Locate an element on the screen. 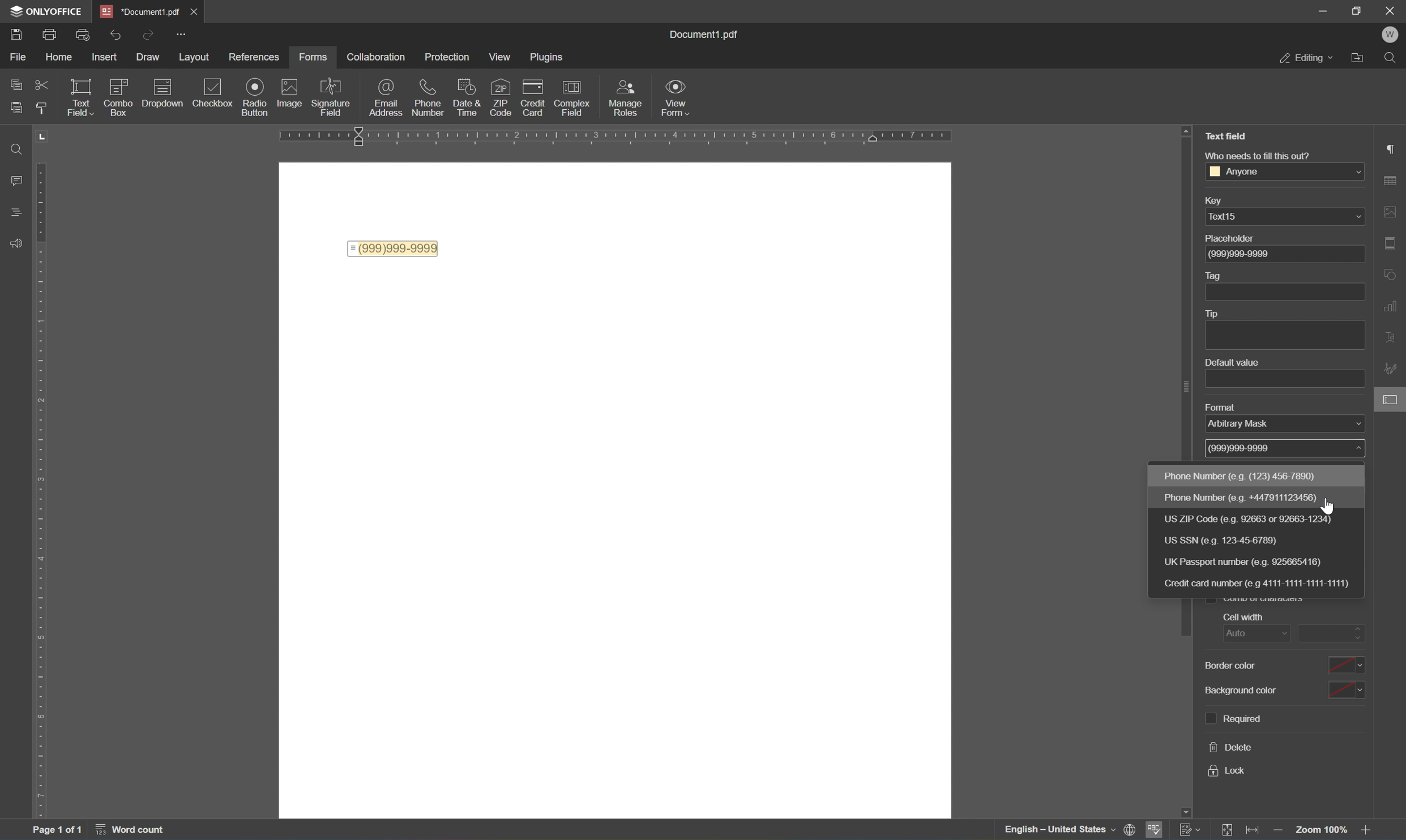  document1.pdf is located at coordinates (137, 10).